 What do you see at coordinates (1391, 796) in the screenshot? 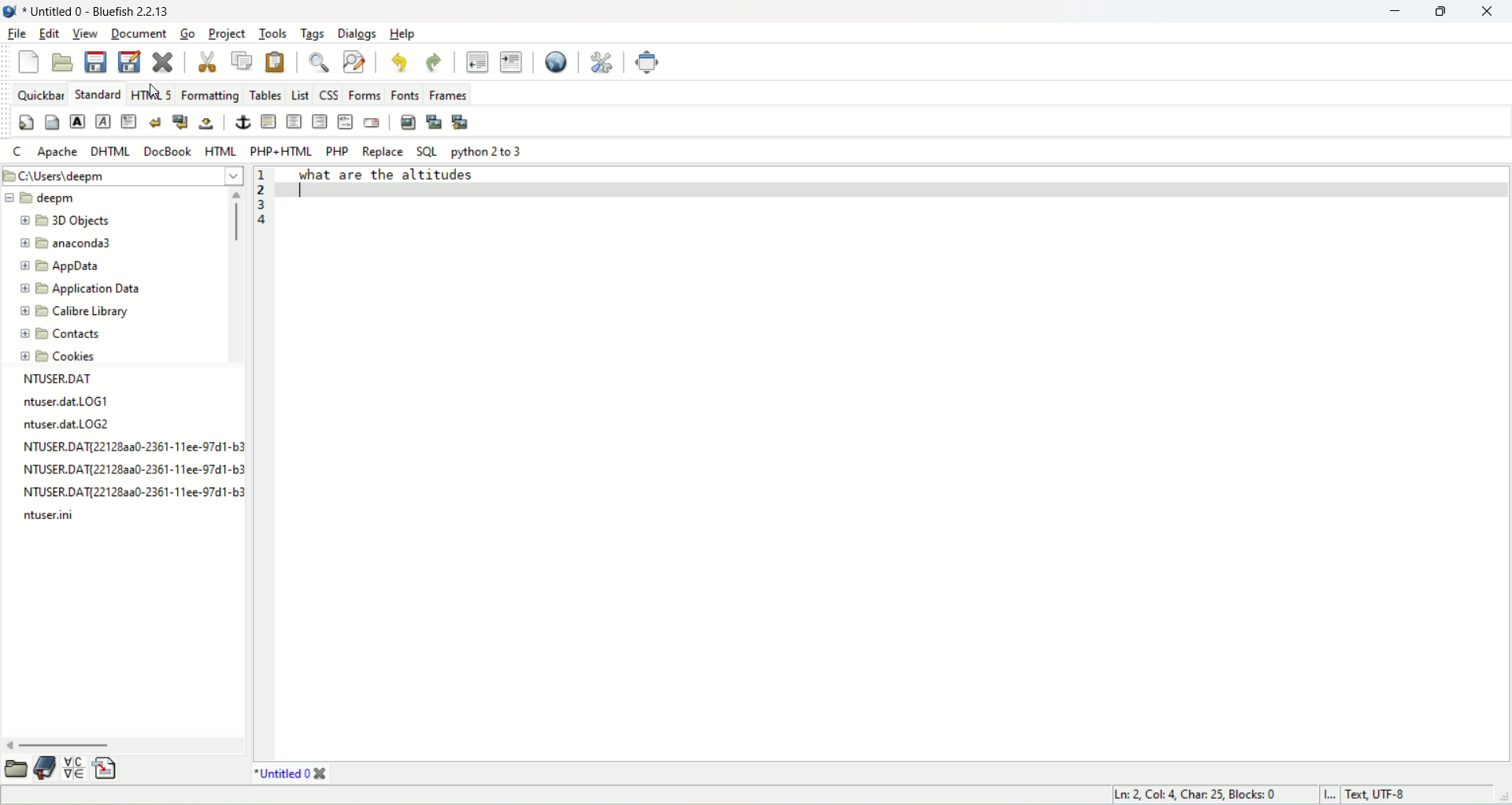
I see `text, UTF-8` at bounding box center [1391, 796].